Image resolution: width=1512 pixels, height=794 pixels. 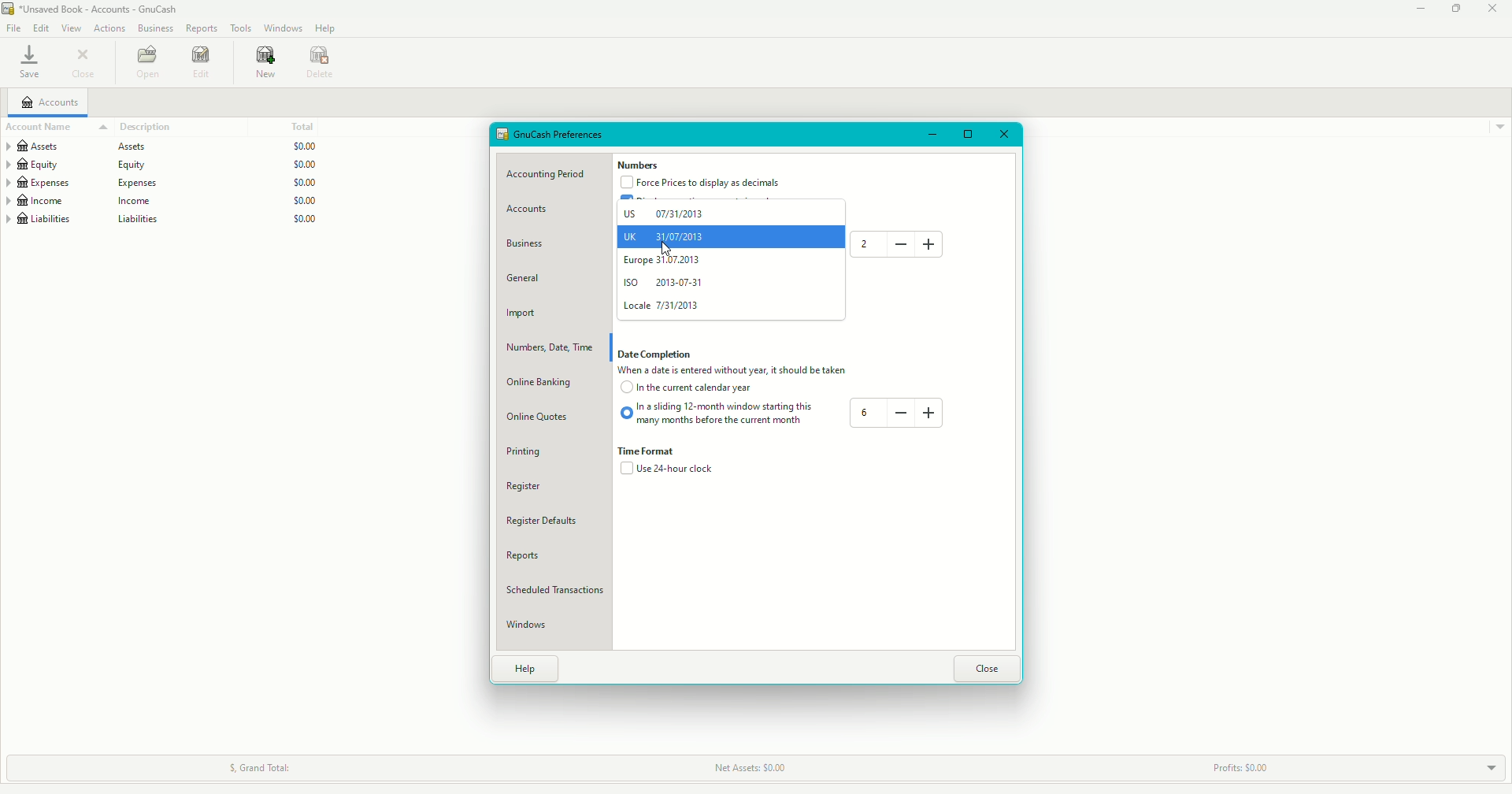 I want to click on Description, so click(x=137, y=125).